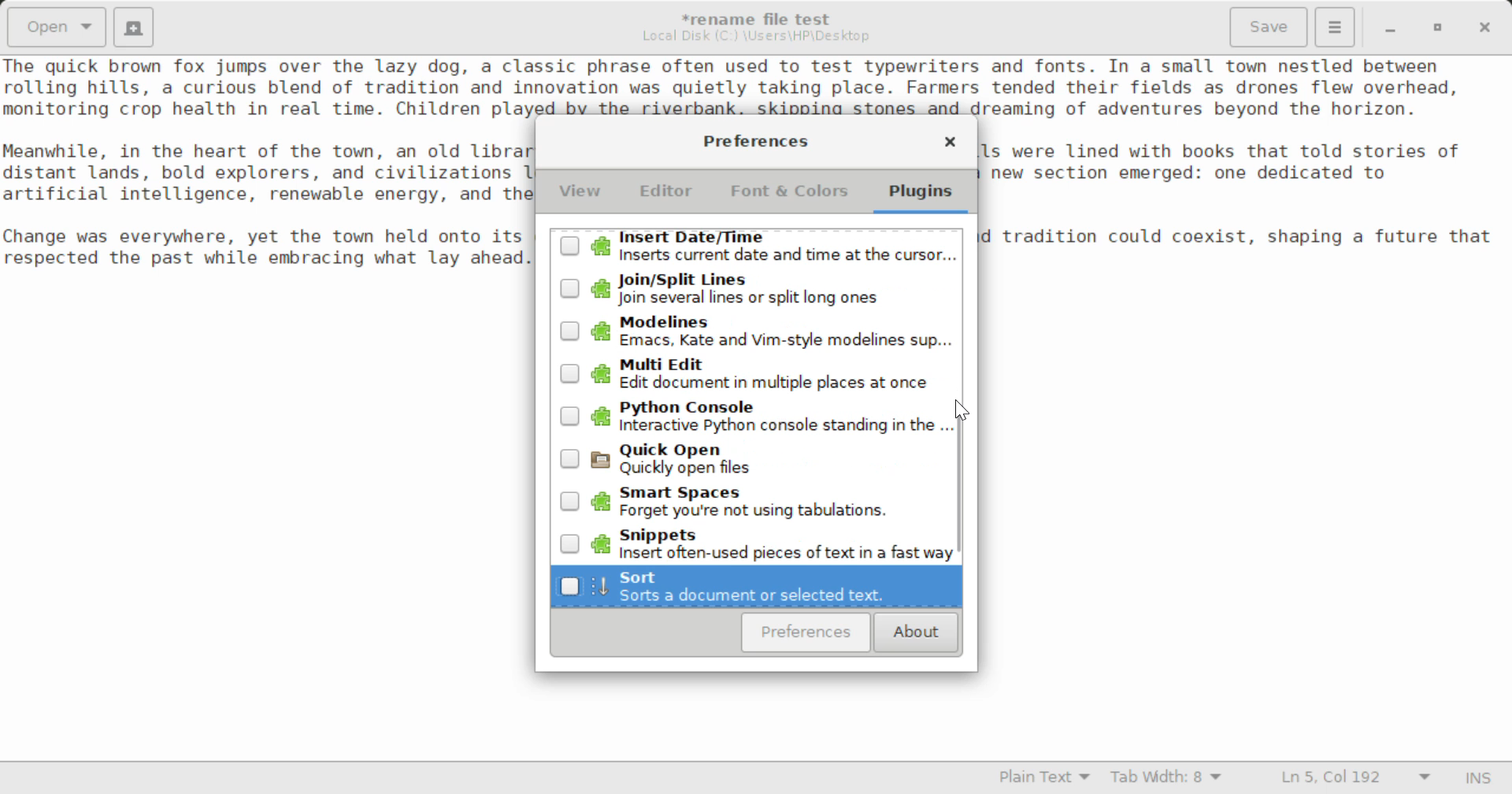 Image resolution: width=1512 pixels, height=794 pixels. I want to click on Cursor Position, so click(962, 412).